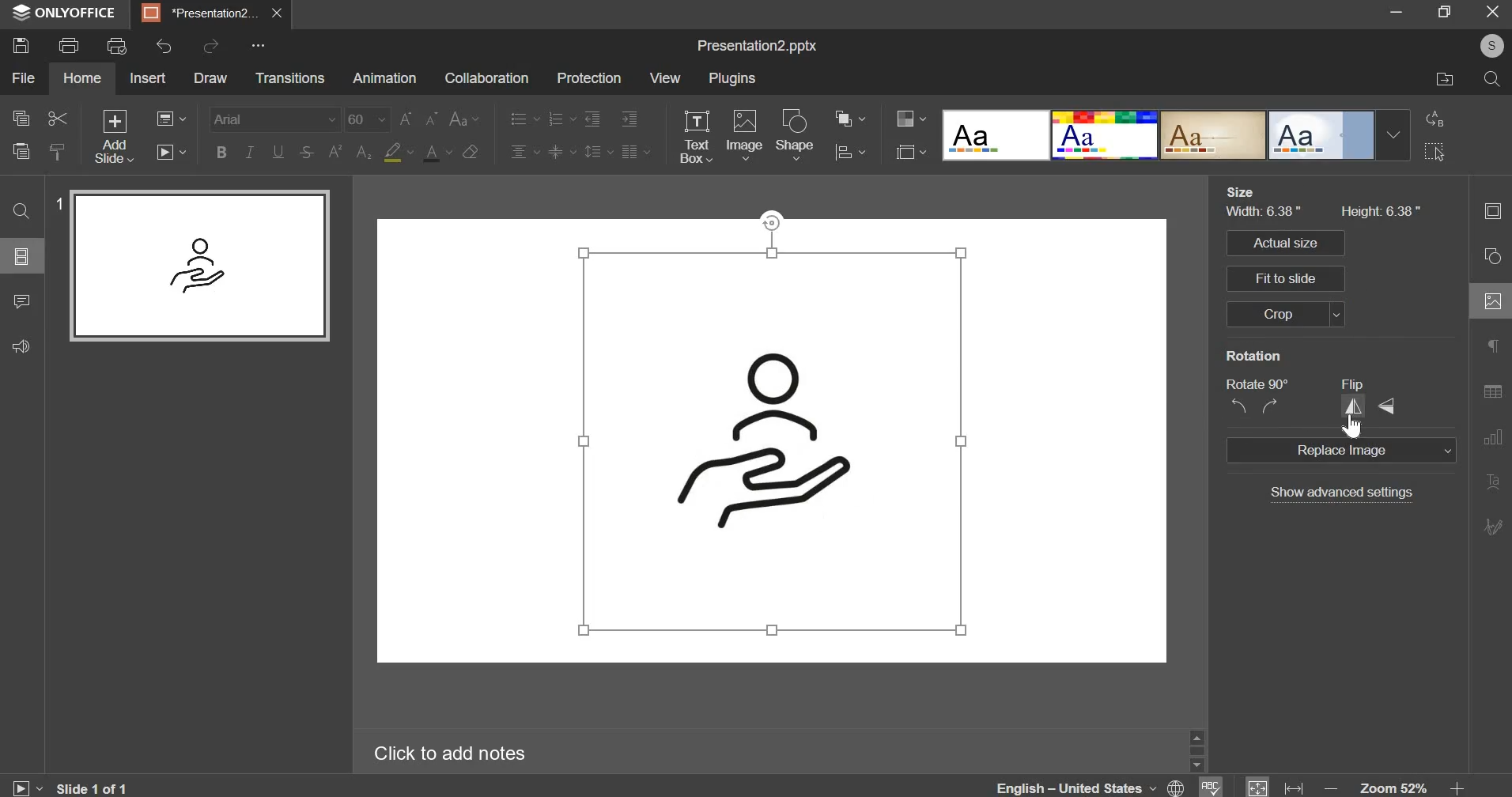 The image size is (1512, 797). Describe the element at coordinates (754, 46) in the screenshot. I see `Presentation2.pptx` at that location.